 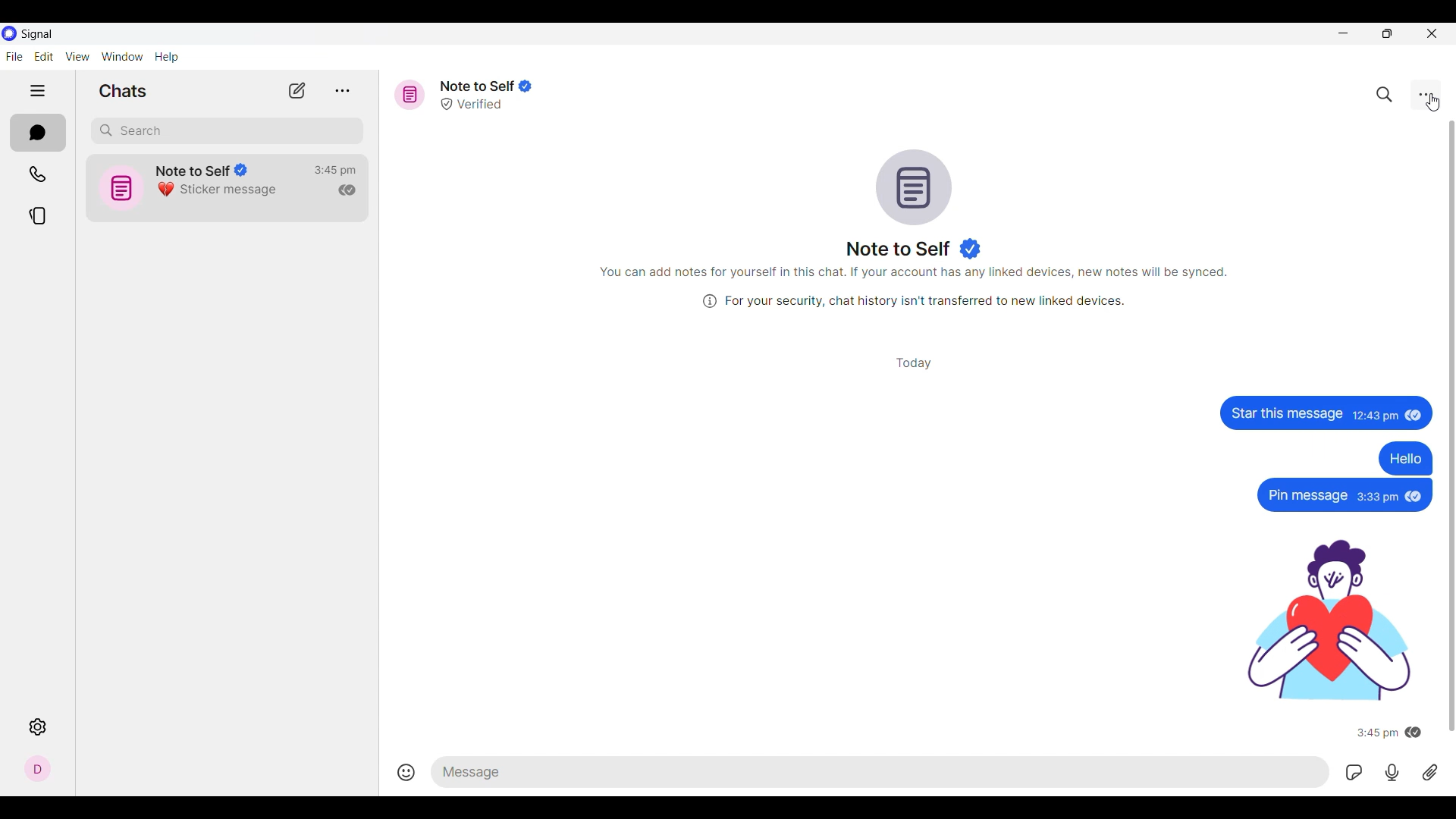 What do you see at coordinates (342, 91) in the screenshot?
I see `View archive` at bounding box center [342, 91].